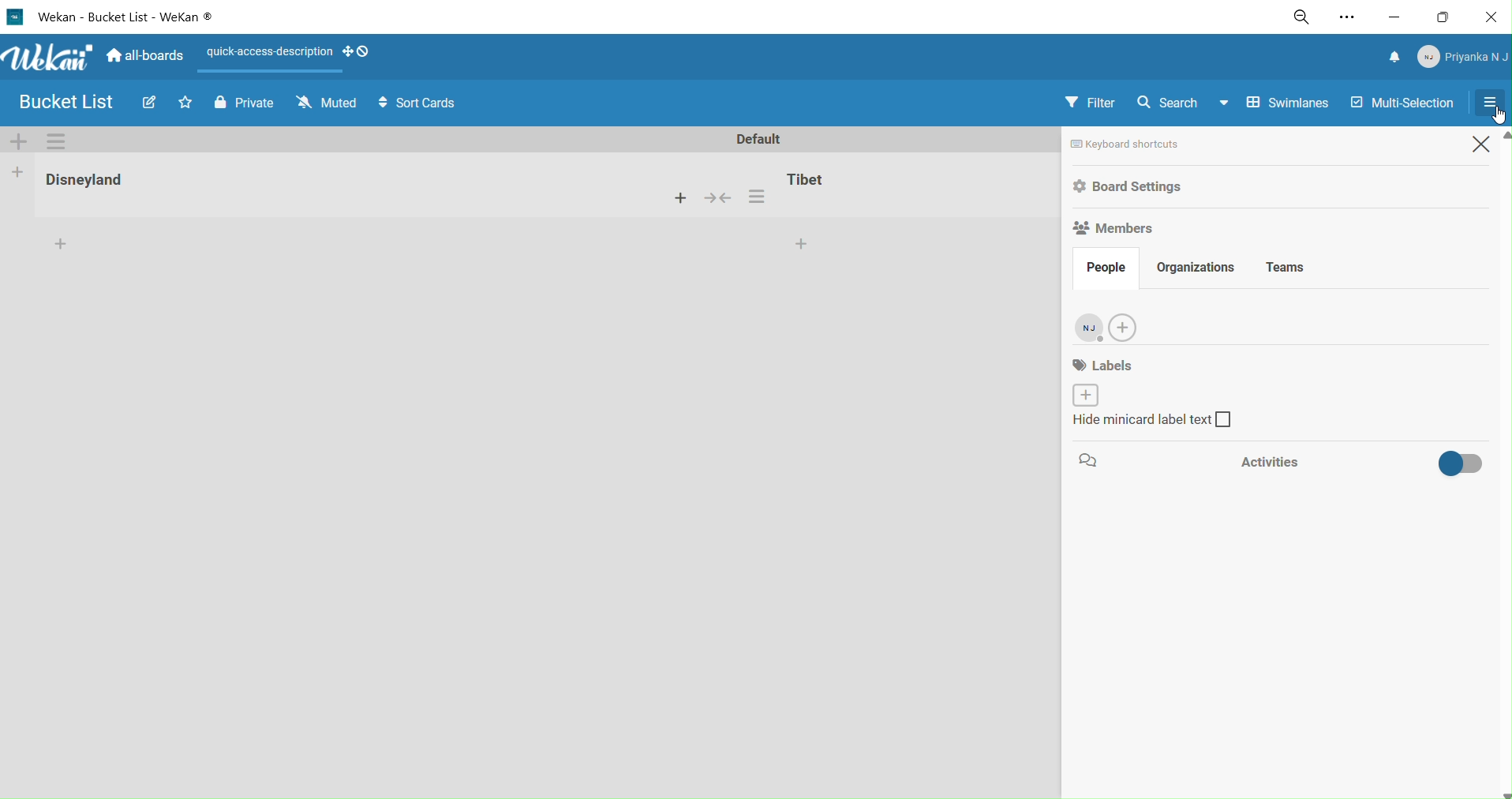 The width and height of the screenshot is (1512, 799). I want to click on create lable, so click(1092, 395).